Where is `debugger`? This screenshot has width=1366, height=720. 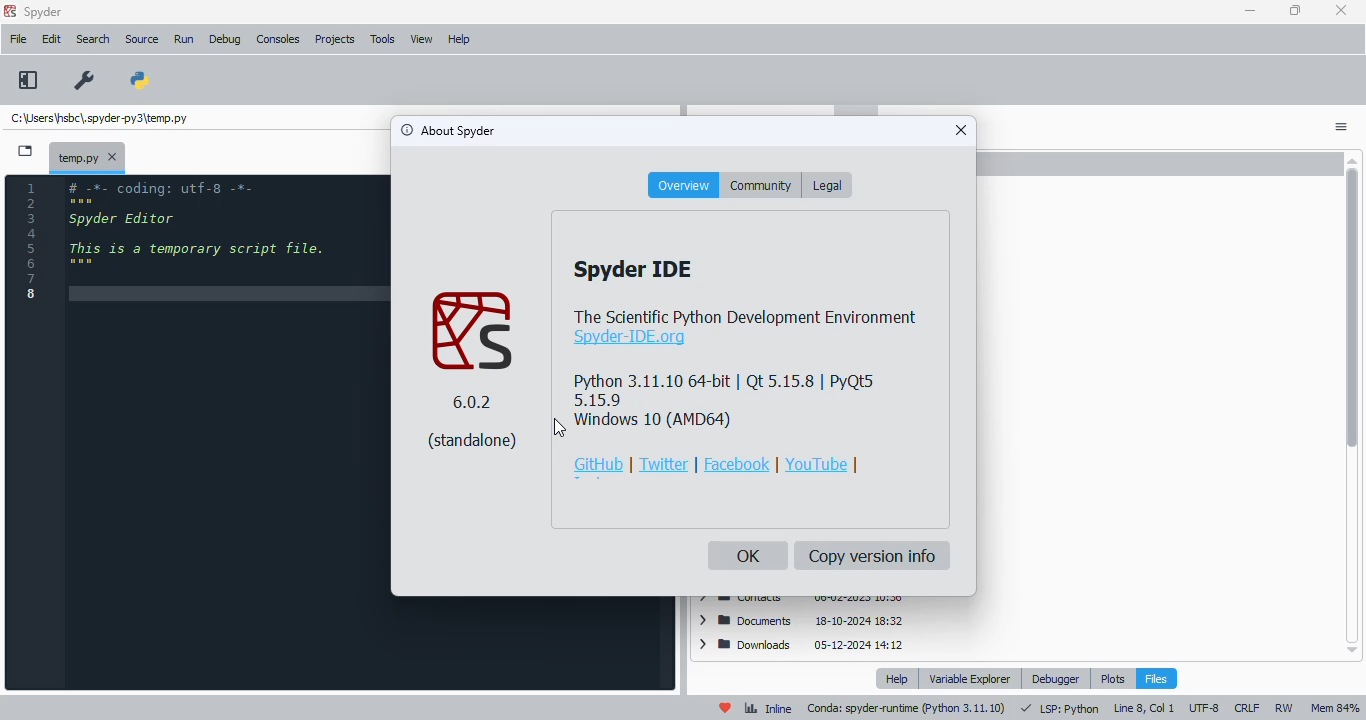
debugger is located at coordinates (1057, 679).